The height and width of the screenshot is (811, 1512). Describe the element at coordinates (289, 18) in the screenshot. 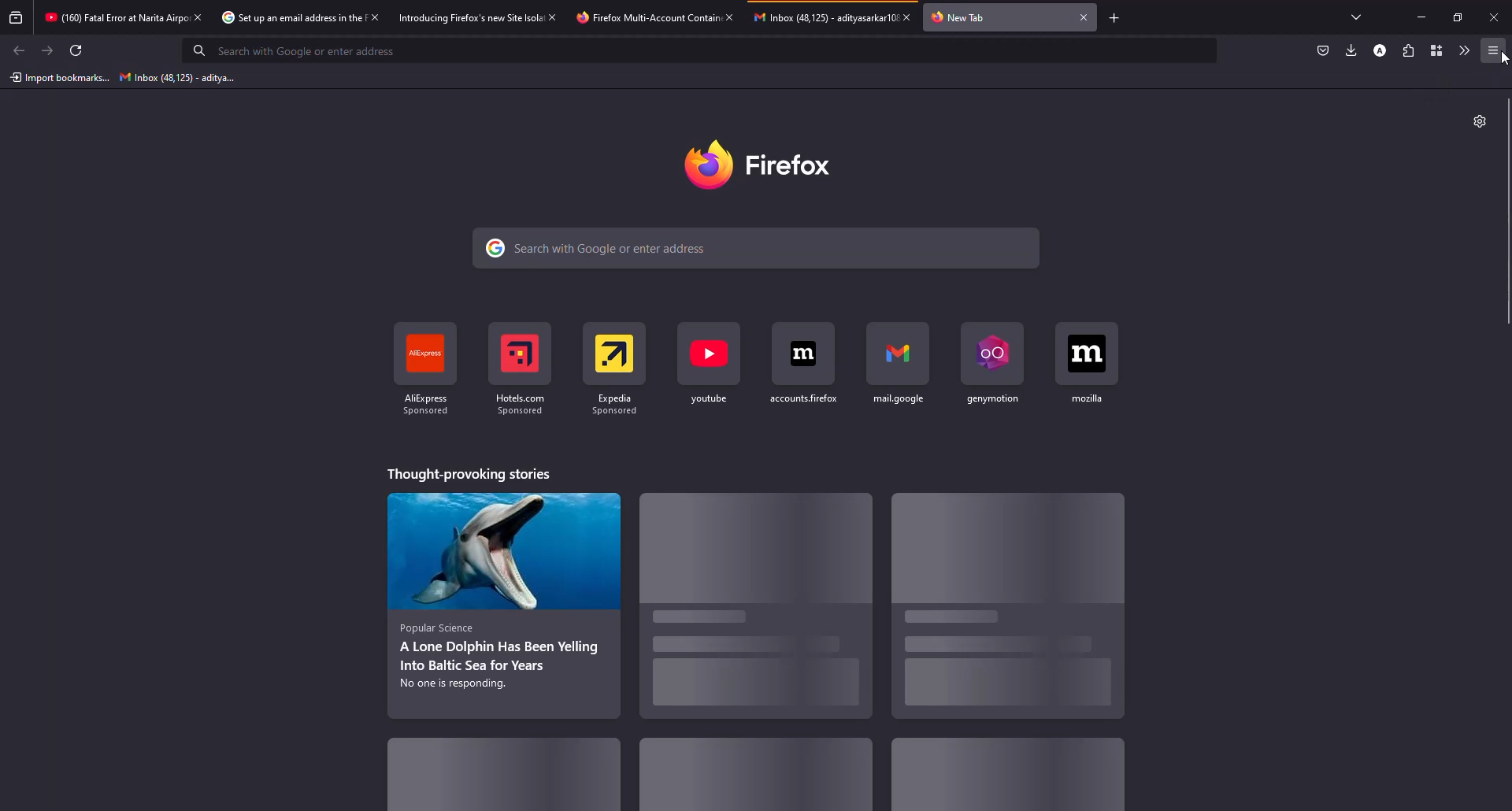

I see `tab` at that location.